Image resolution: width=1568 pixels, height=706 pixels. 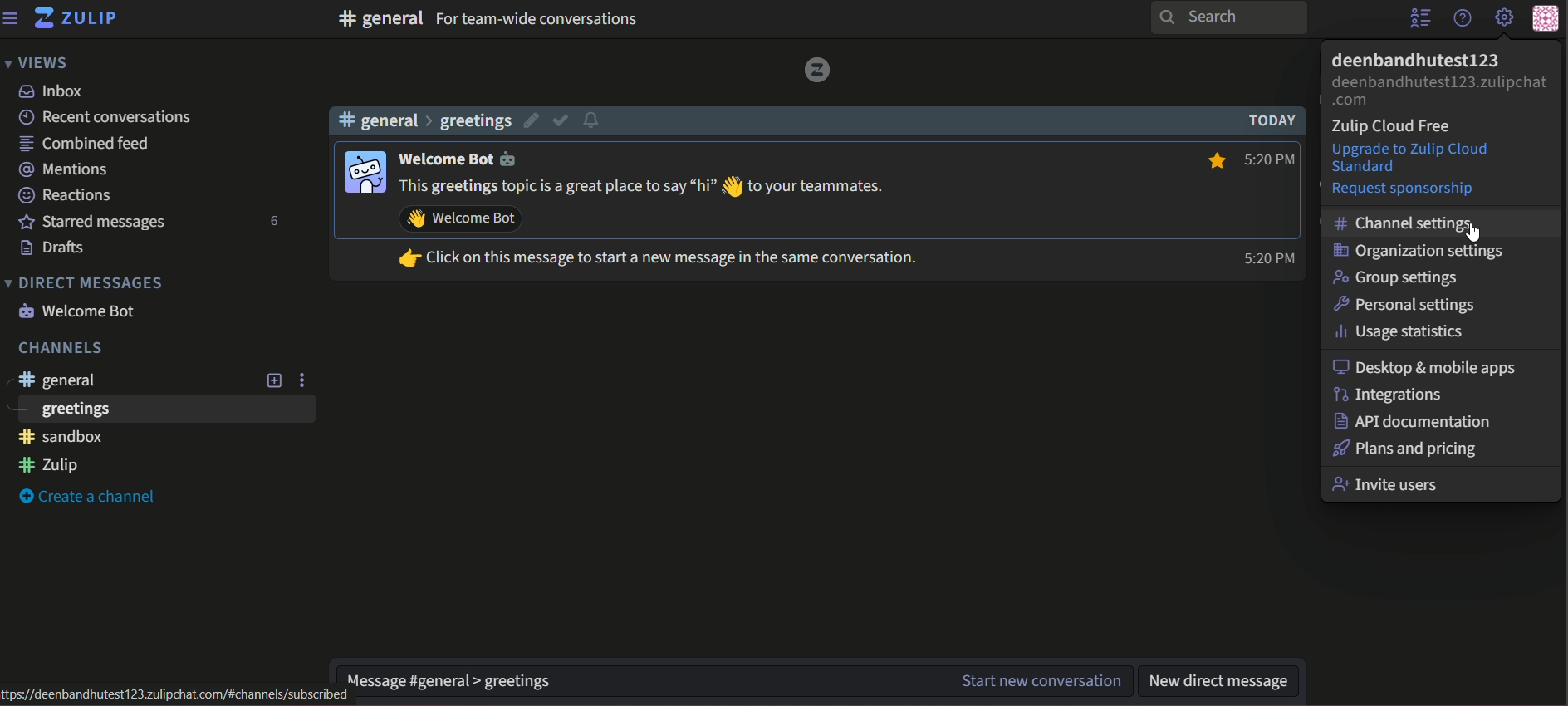 I want to click on Drafts, so click(x=51, y=249).